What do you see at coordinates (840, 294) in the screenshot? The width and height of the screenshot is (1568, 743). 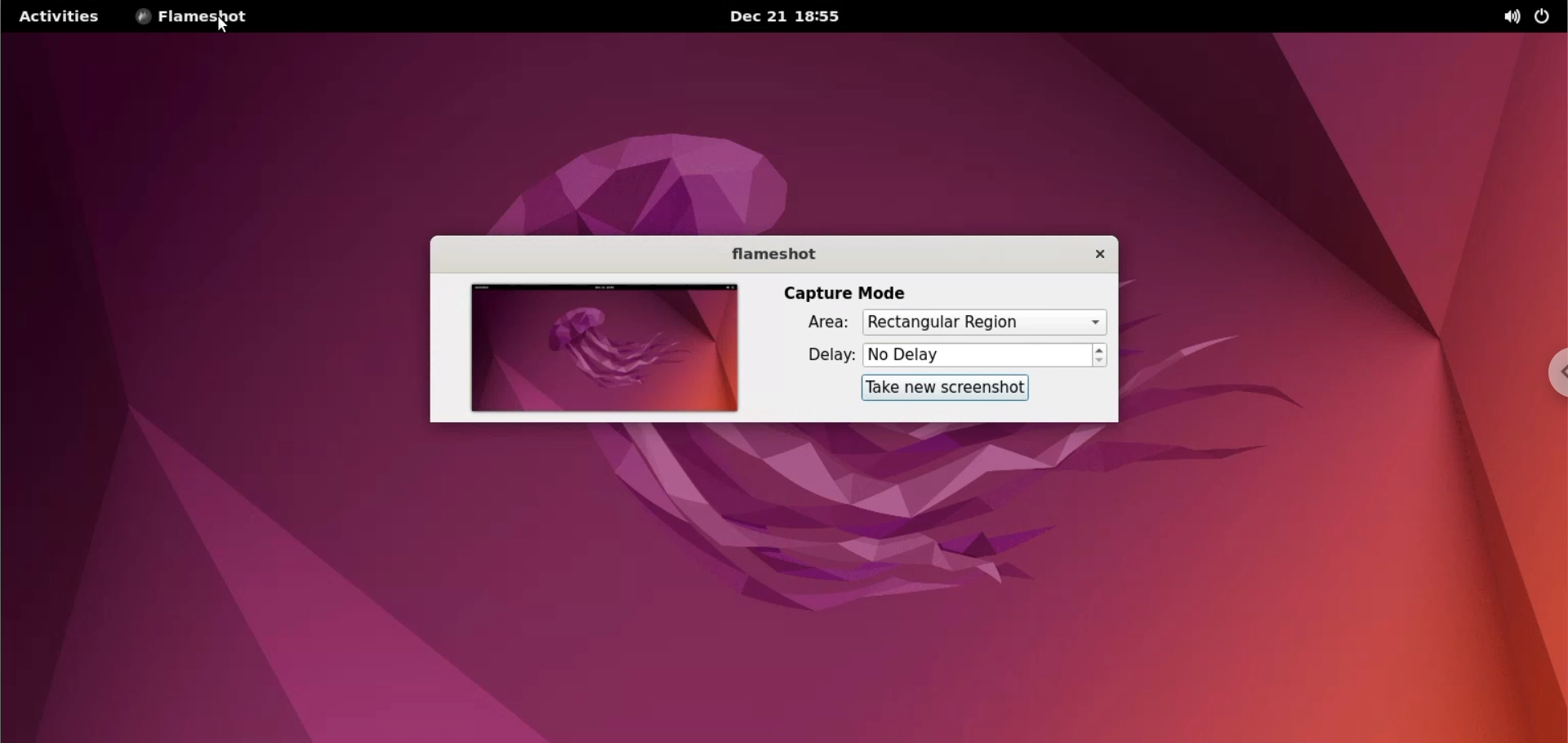 I see `capture mode` at bounding box center [840, 294].